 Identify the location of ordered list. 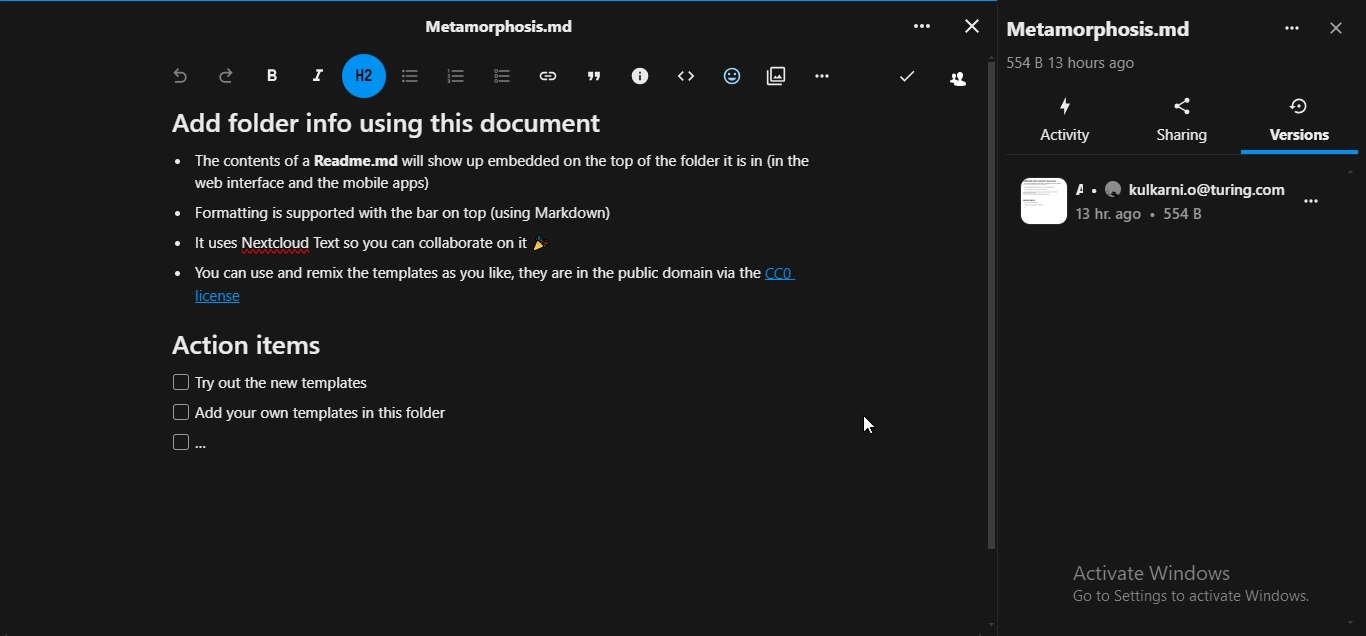
(451, 74).